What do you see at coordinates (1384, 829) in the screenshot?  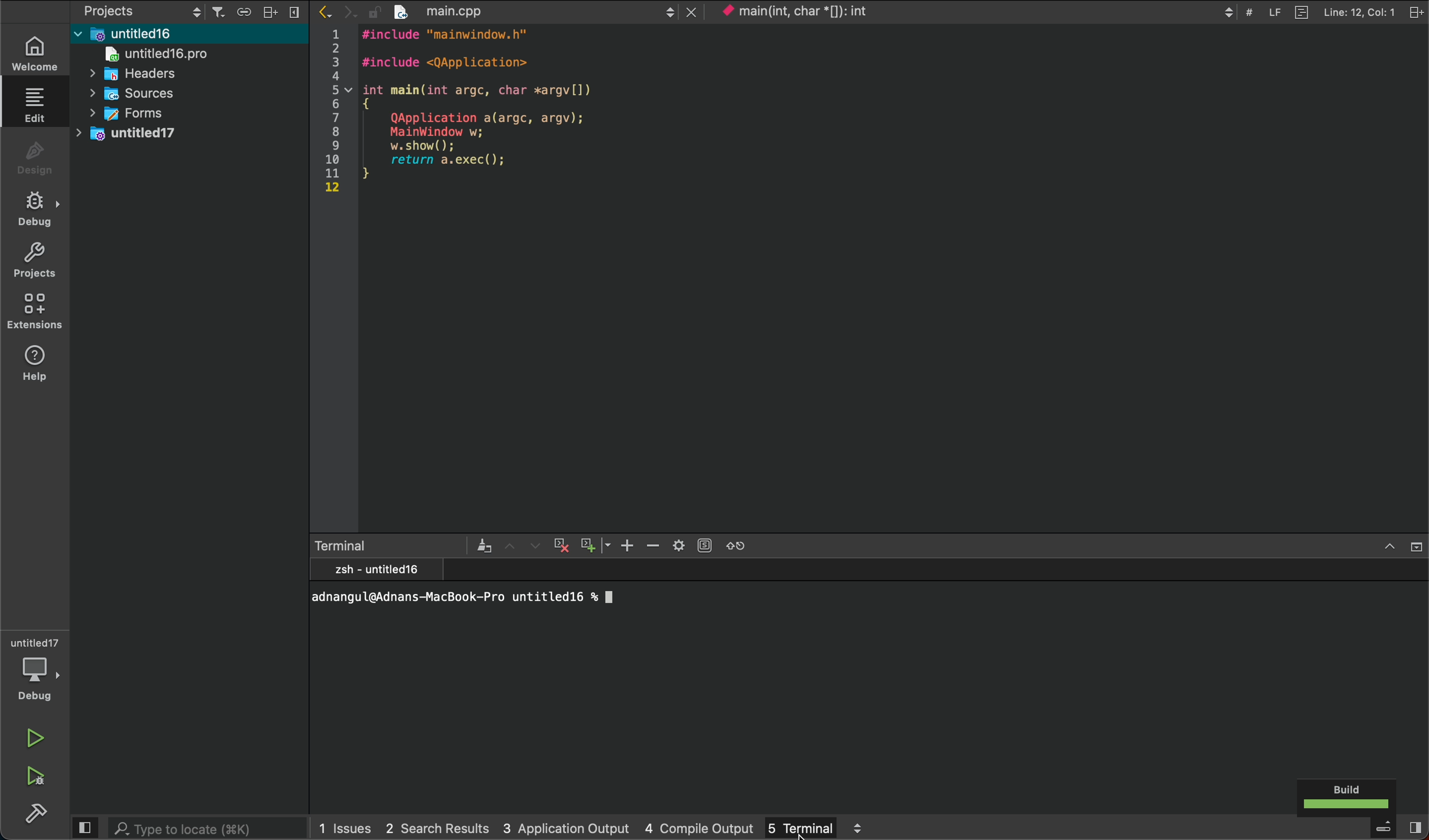 I see `menu` at bounding box center [1384, 829].